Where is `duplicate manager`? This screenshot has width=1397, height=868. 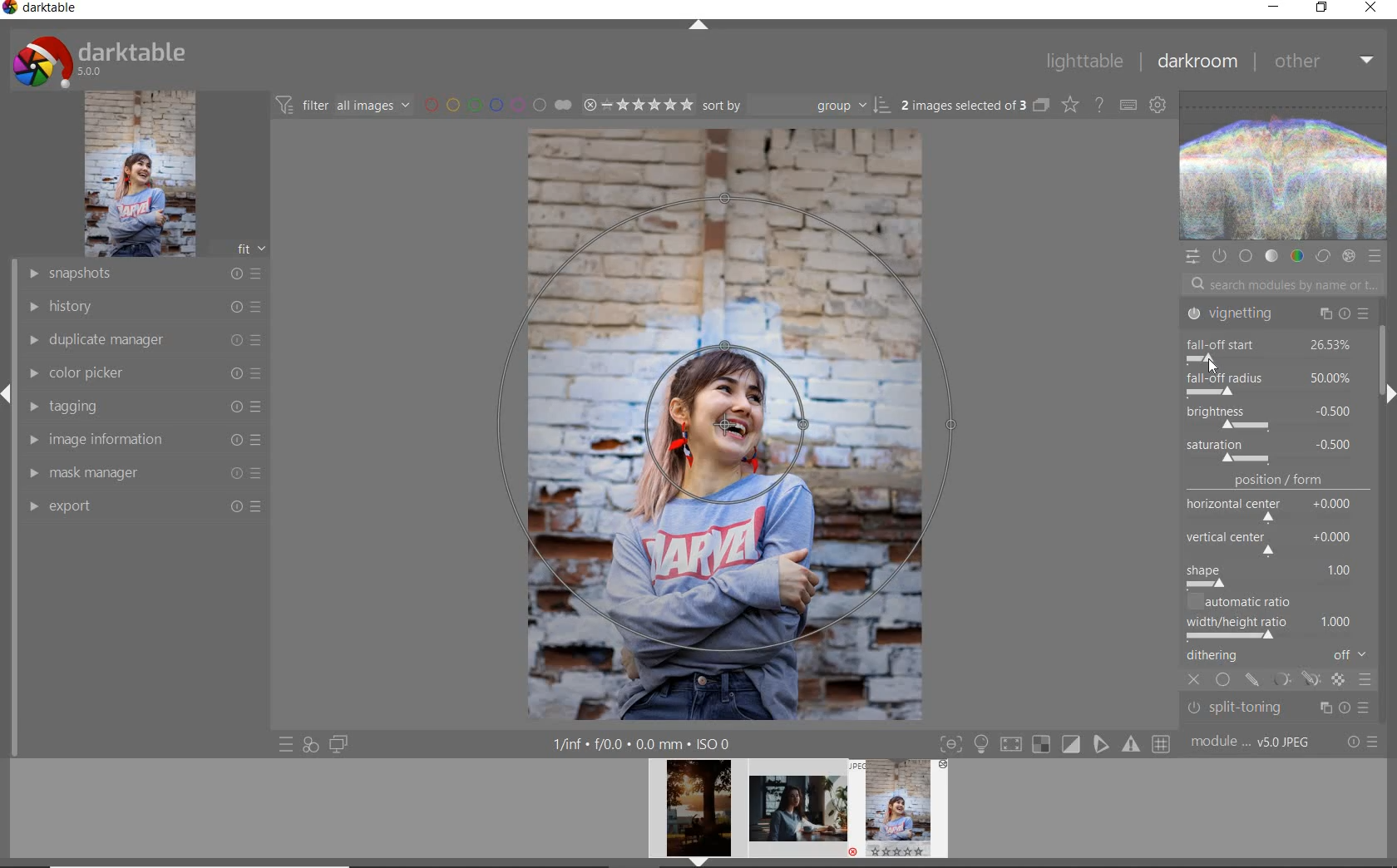 duplicate manager is located at coordinates (146, 340).